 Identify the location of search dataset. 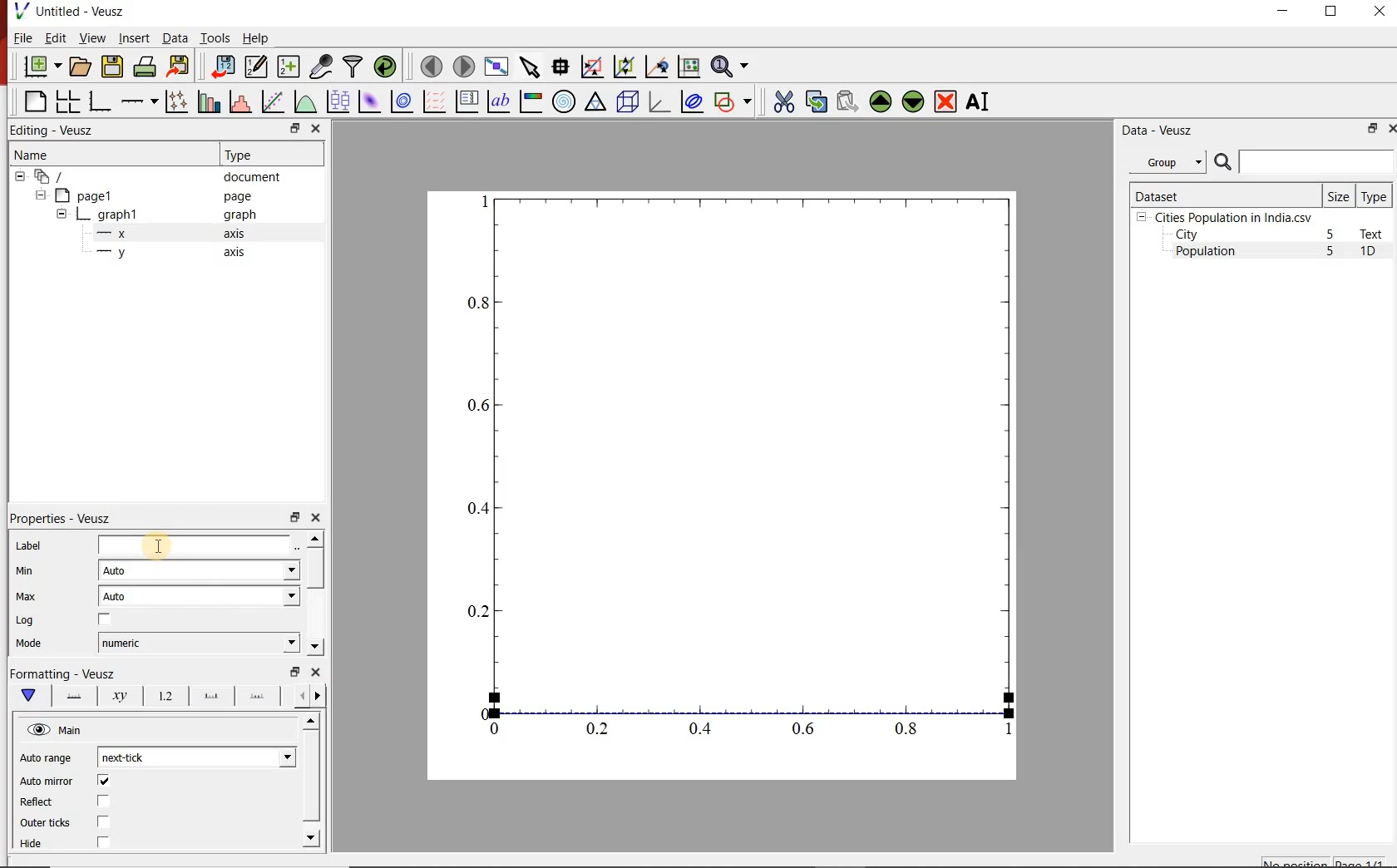
(1305, 162).